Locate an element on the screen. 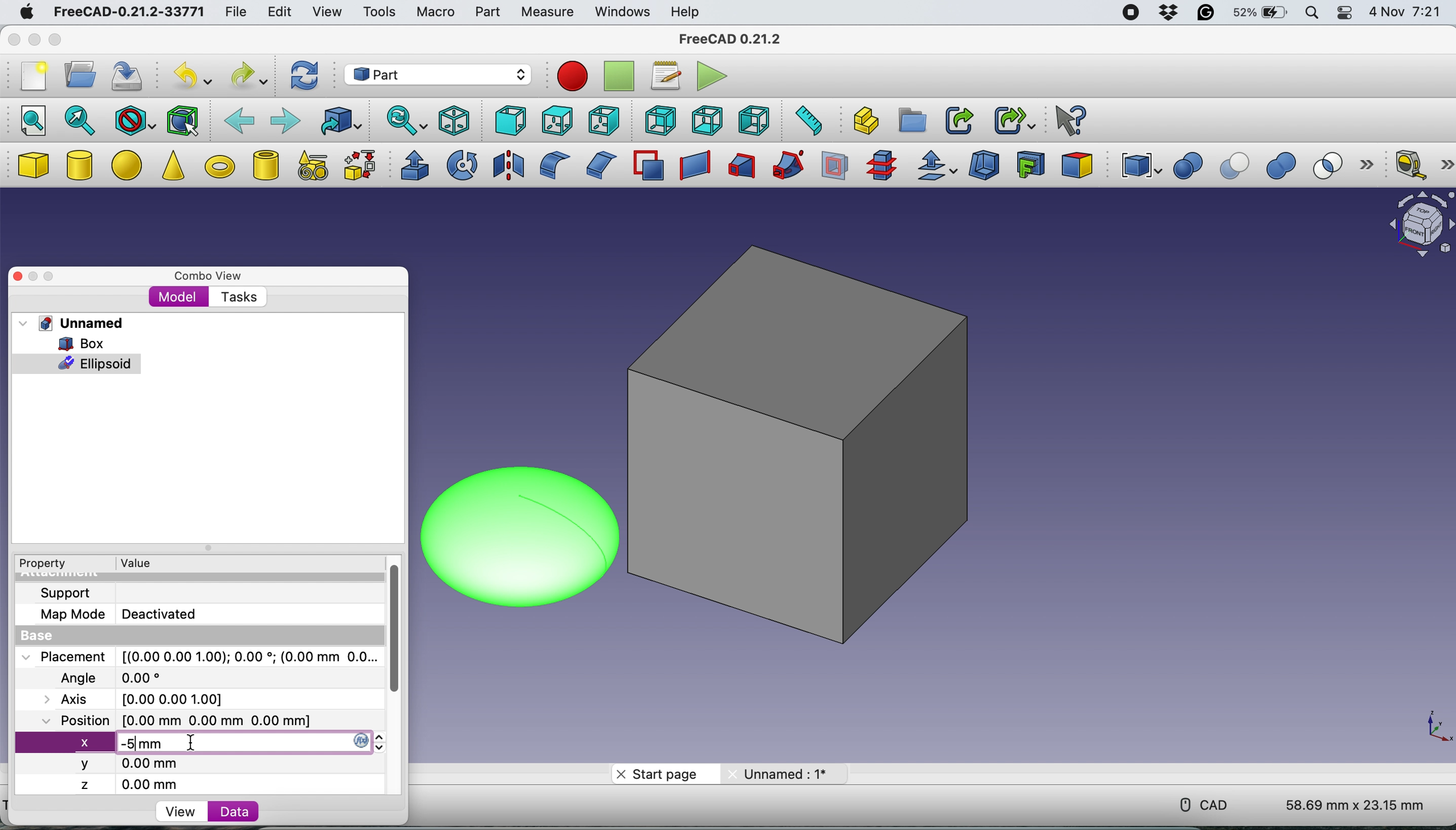  measure distance is located at coordinates (805, 120).